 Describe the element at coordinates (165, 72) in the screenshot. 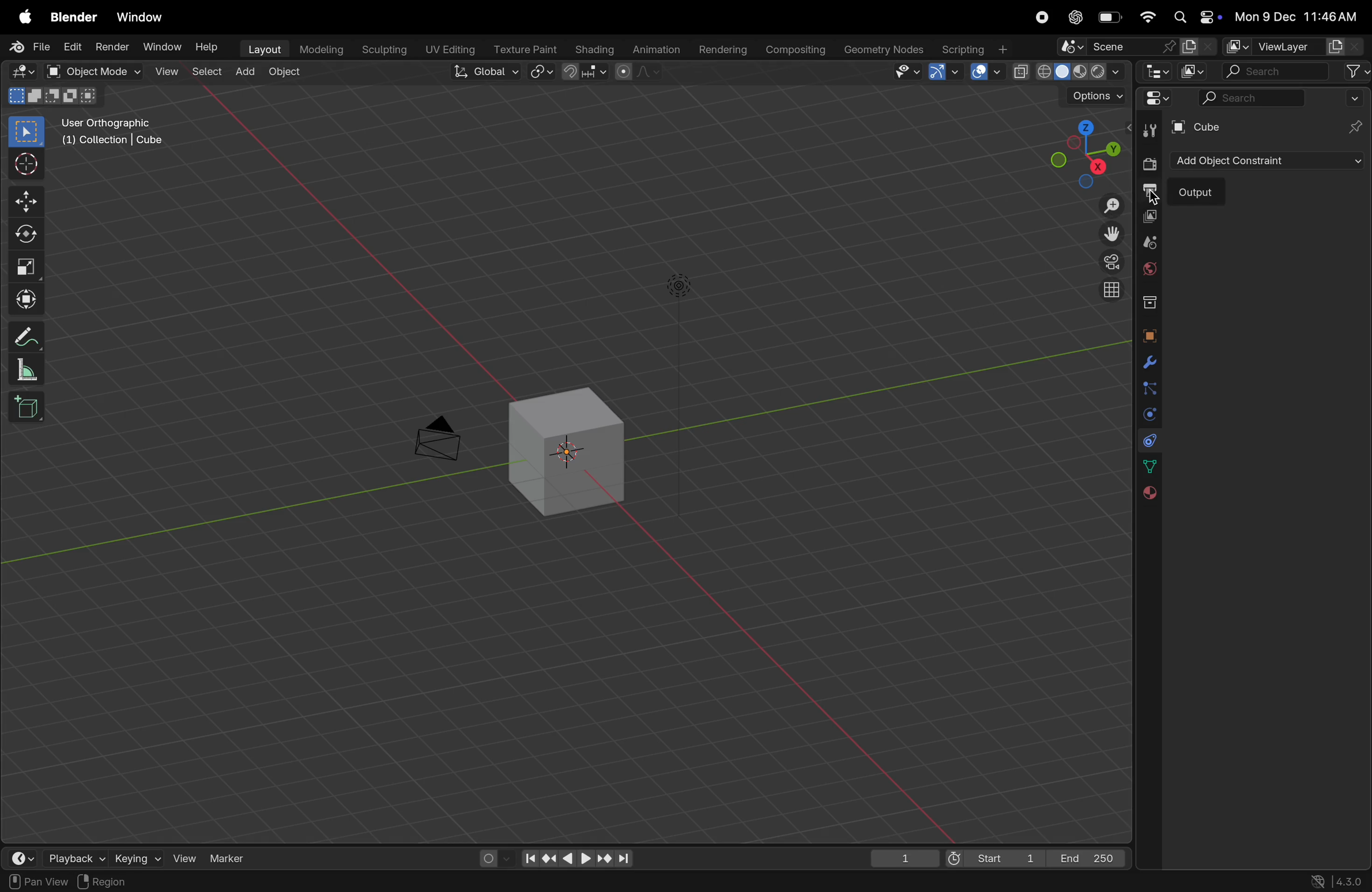

I see `view` at that location.